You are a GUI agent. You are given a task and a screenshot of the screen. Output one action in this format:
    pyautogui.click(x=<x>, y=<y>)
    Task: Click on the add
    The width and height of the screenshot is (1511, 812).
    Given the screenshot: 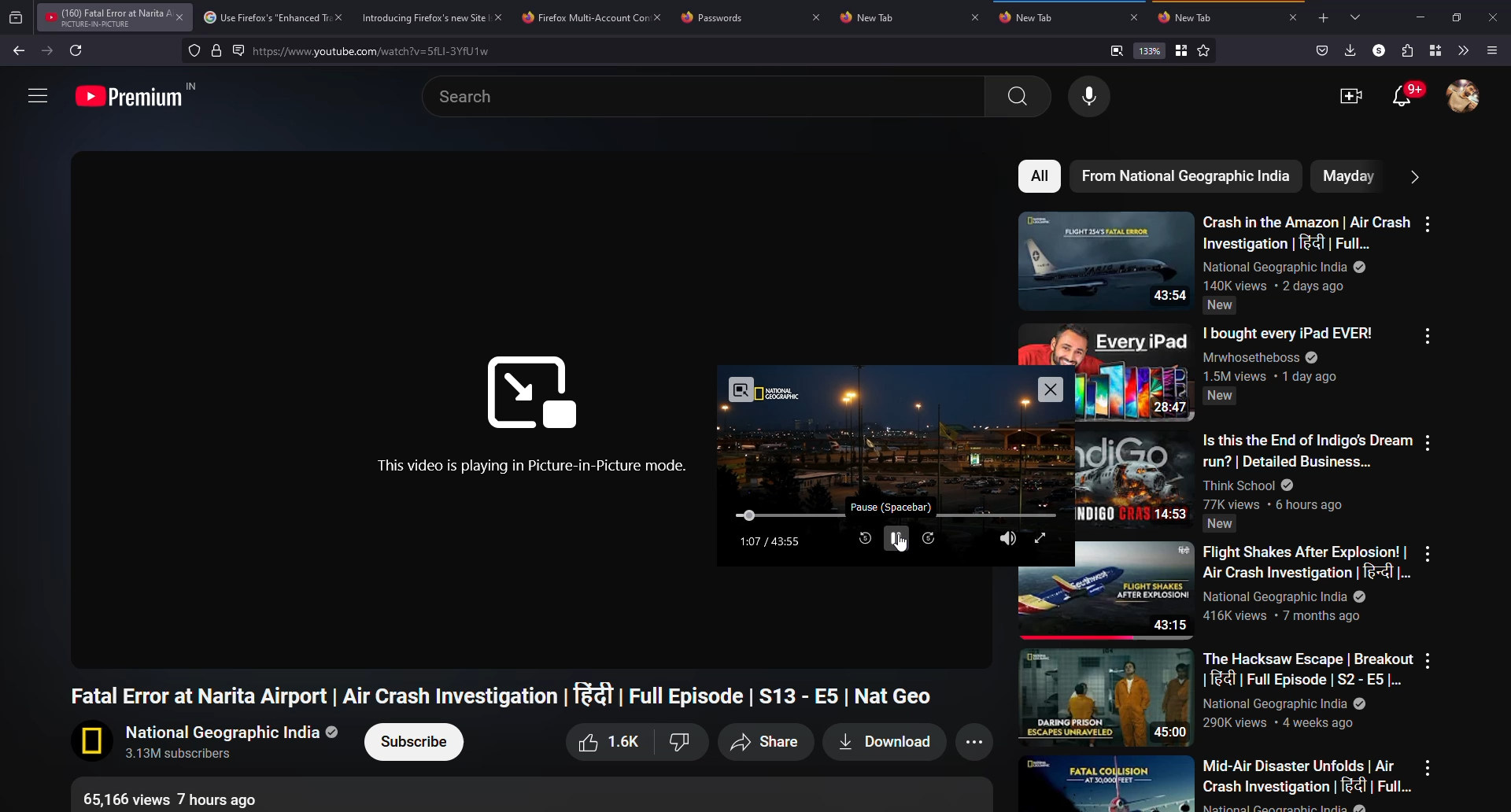 What is the action you would take?
    pyautogui.click(x=1322, y=19)
    